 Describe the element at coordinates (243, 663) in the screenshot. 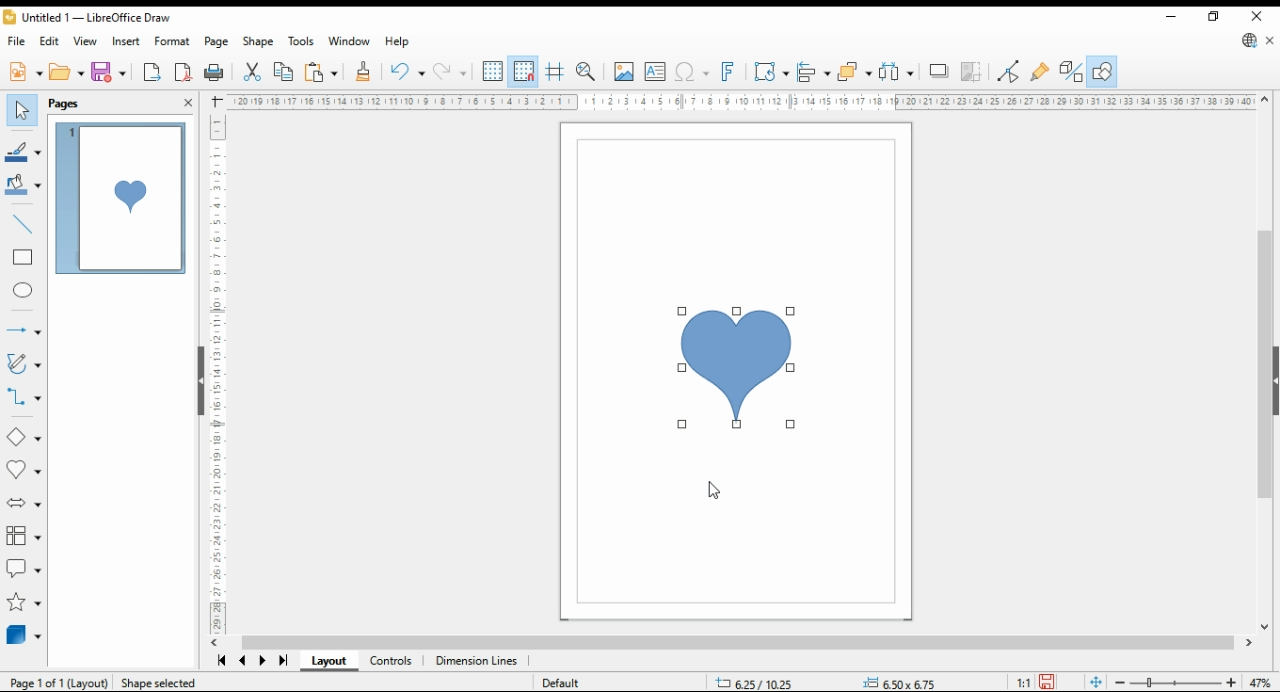

I see `previous page` at that location.